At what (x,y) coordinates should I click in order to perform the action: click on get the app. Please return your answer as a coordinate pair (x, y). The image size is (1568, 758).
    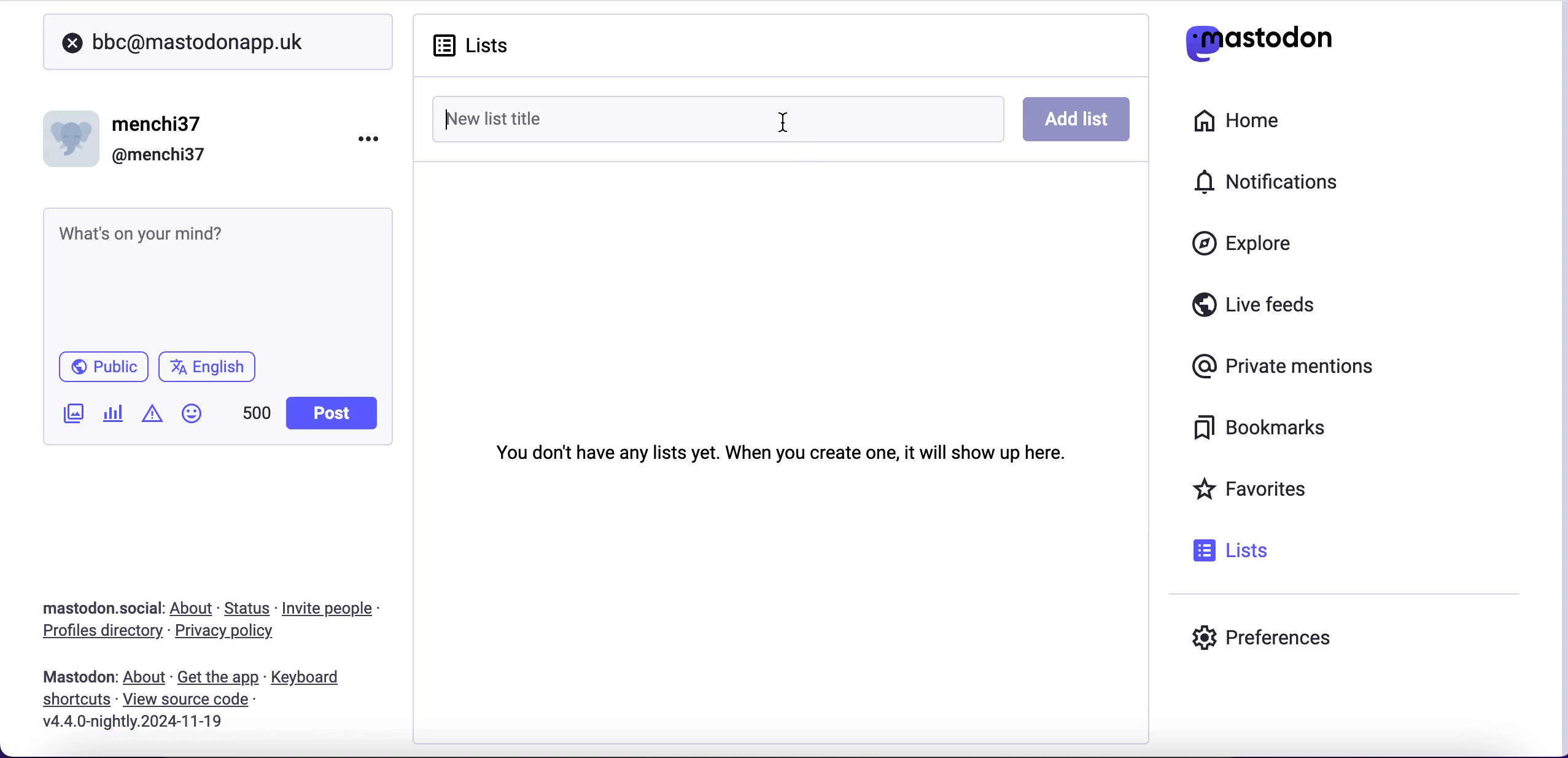
    Looking at the image, I should click on (217, 677).